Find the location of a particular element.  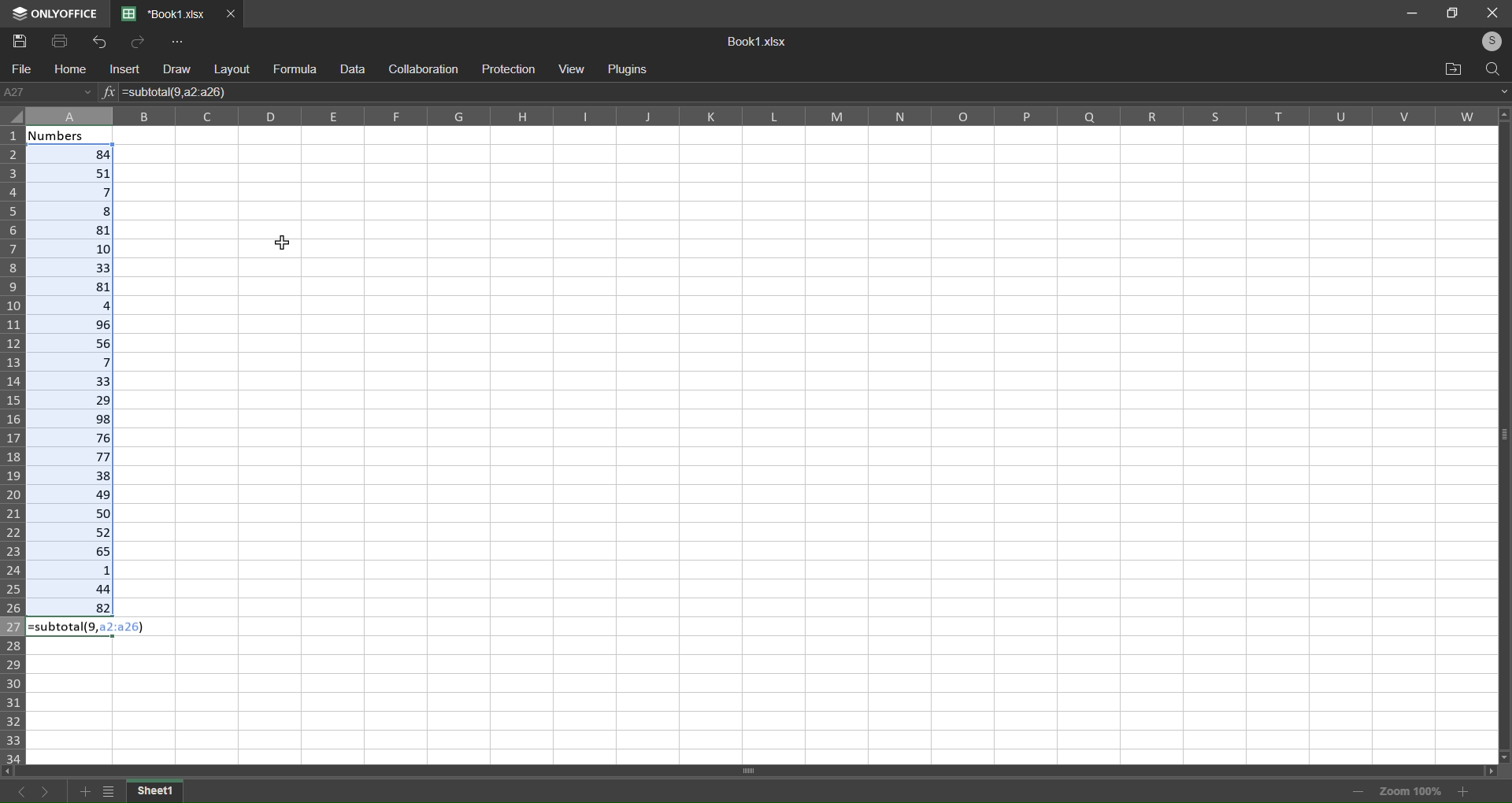

zoom out is located at coordinates (1353, 791).